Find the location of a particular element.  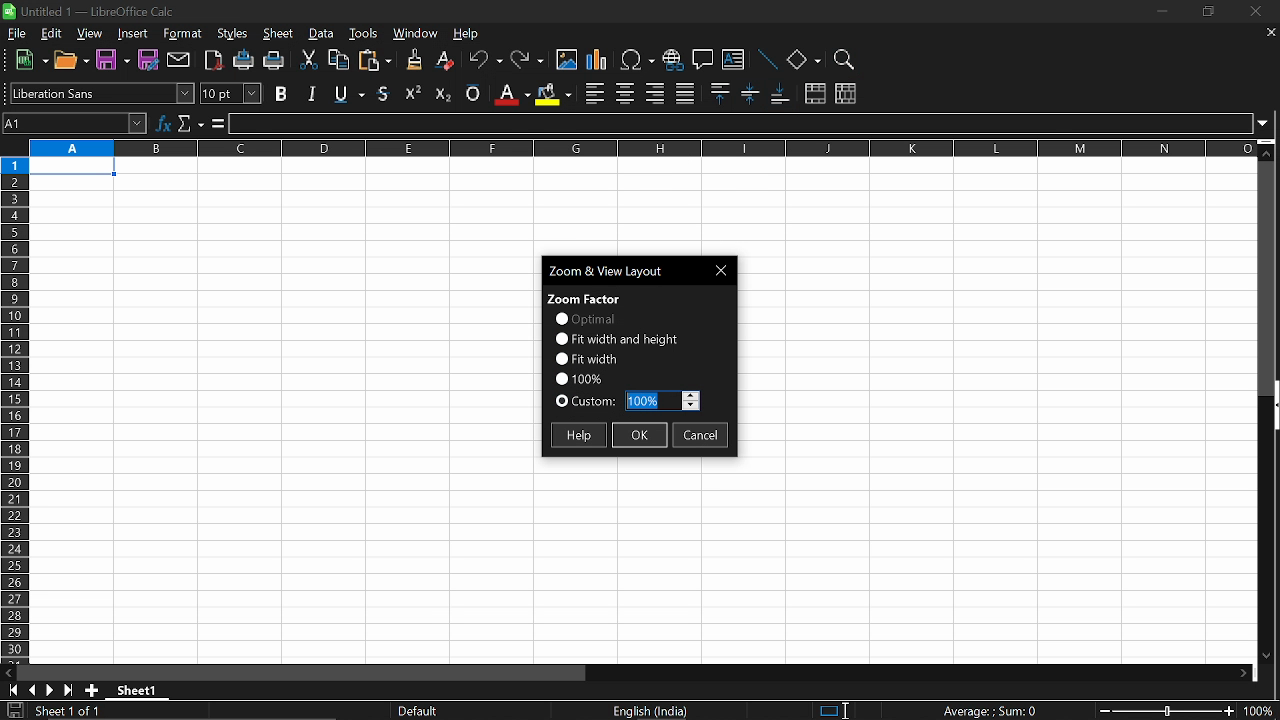

Move down is located at coordinates (1265, 654).